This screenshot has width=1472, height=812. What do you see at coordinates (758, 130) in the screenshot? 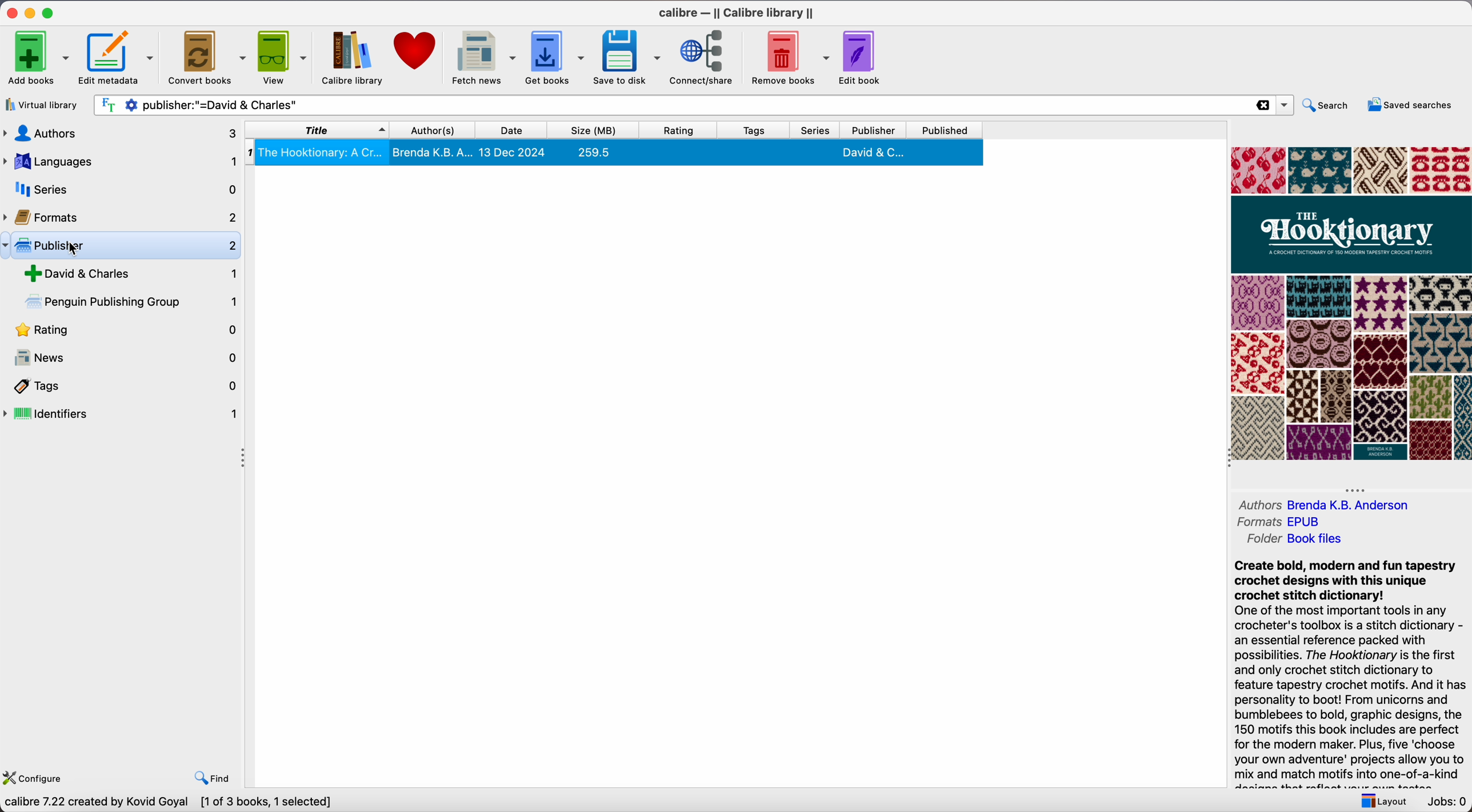
I see `tags` at bounding box center [758, 130].